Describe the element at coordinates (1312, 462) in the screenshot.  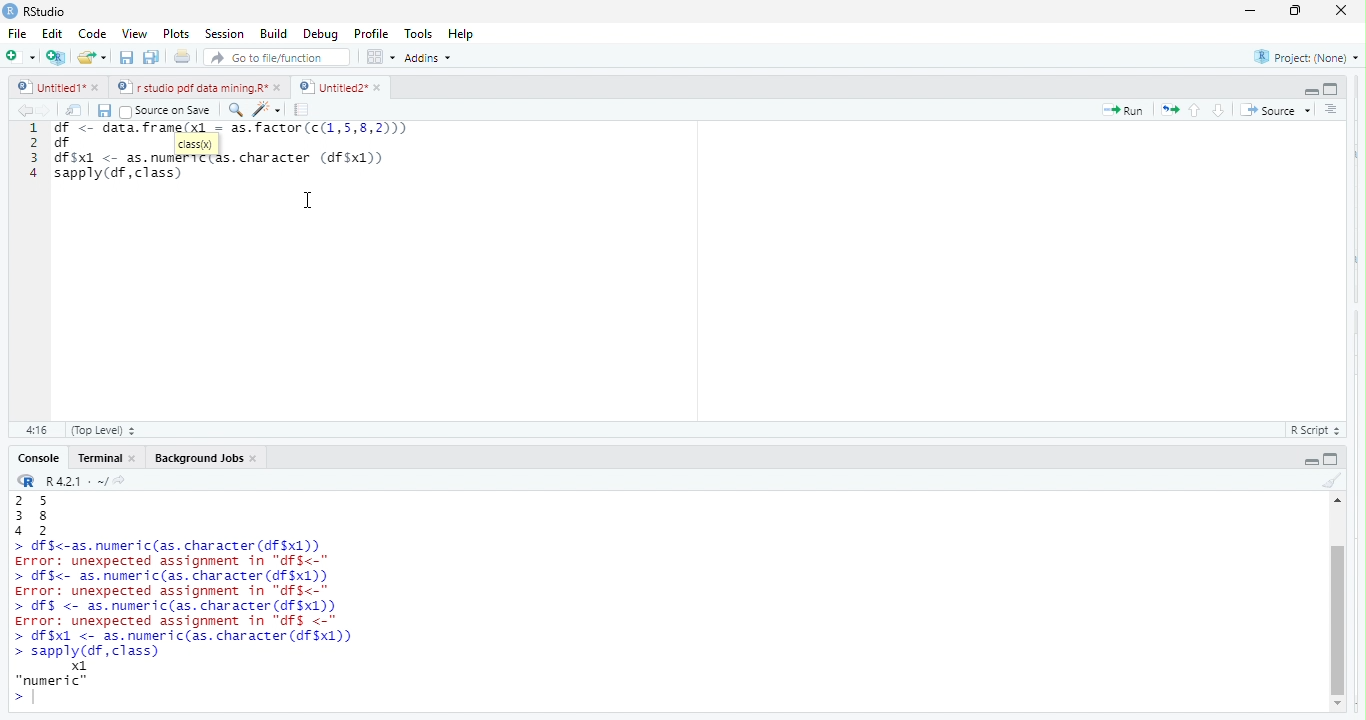
I see `hide r script` at that location.